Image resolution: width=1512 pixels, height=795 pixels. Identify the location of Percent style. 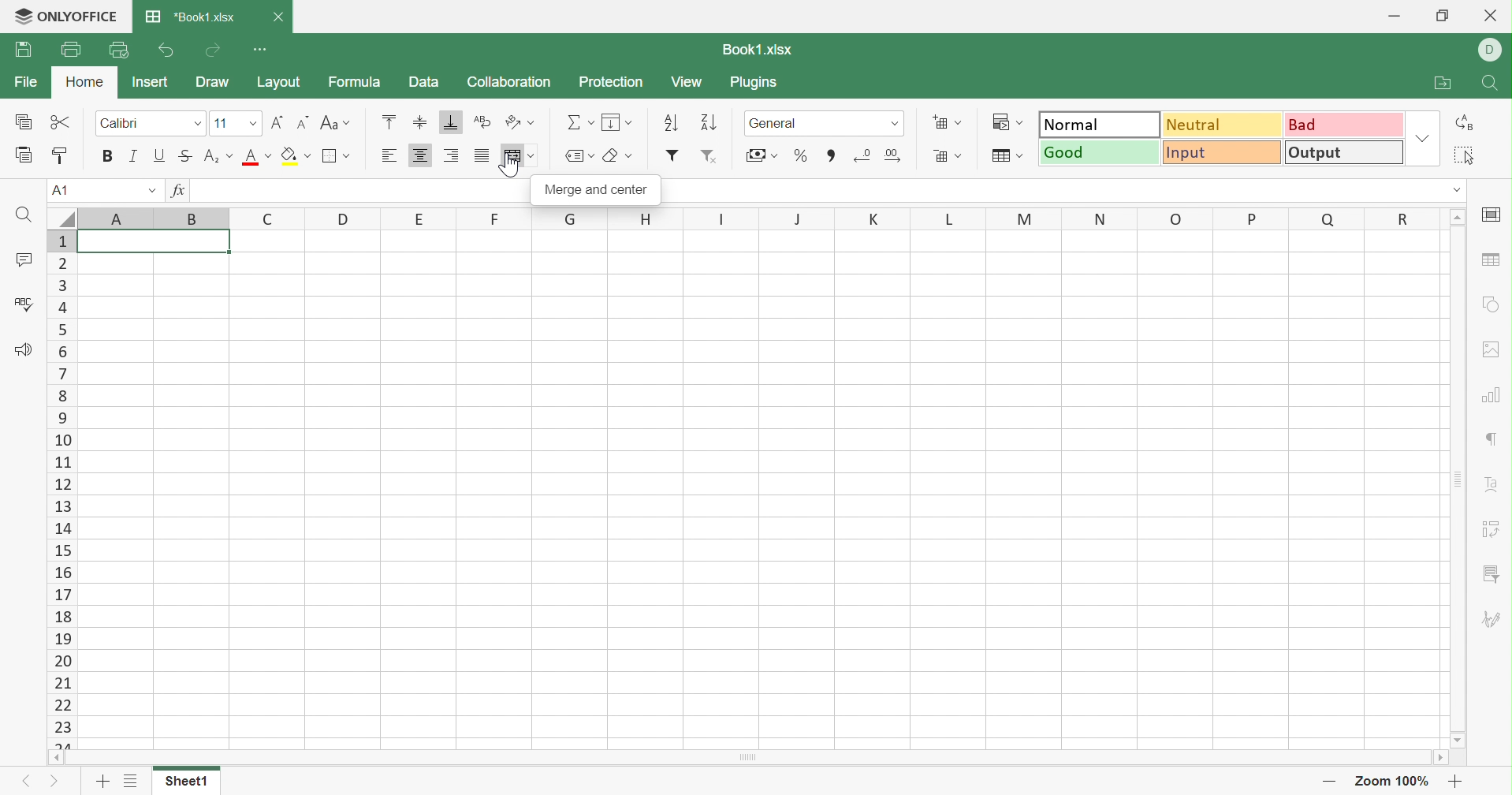
(797, 158).